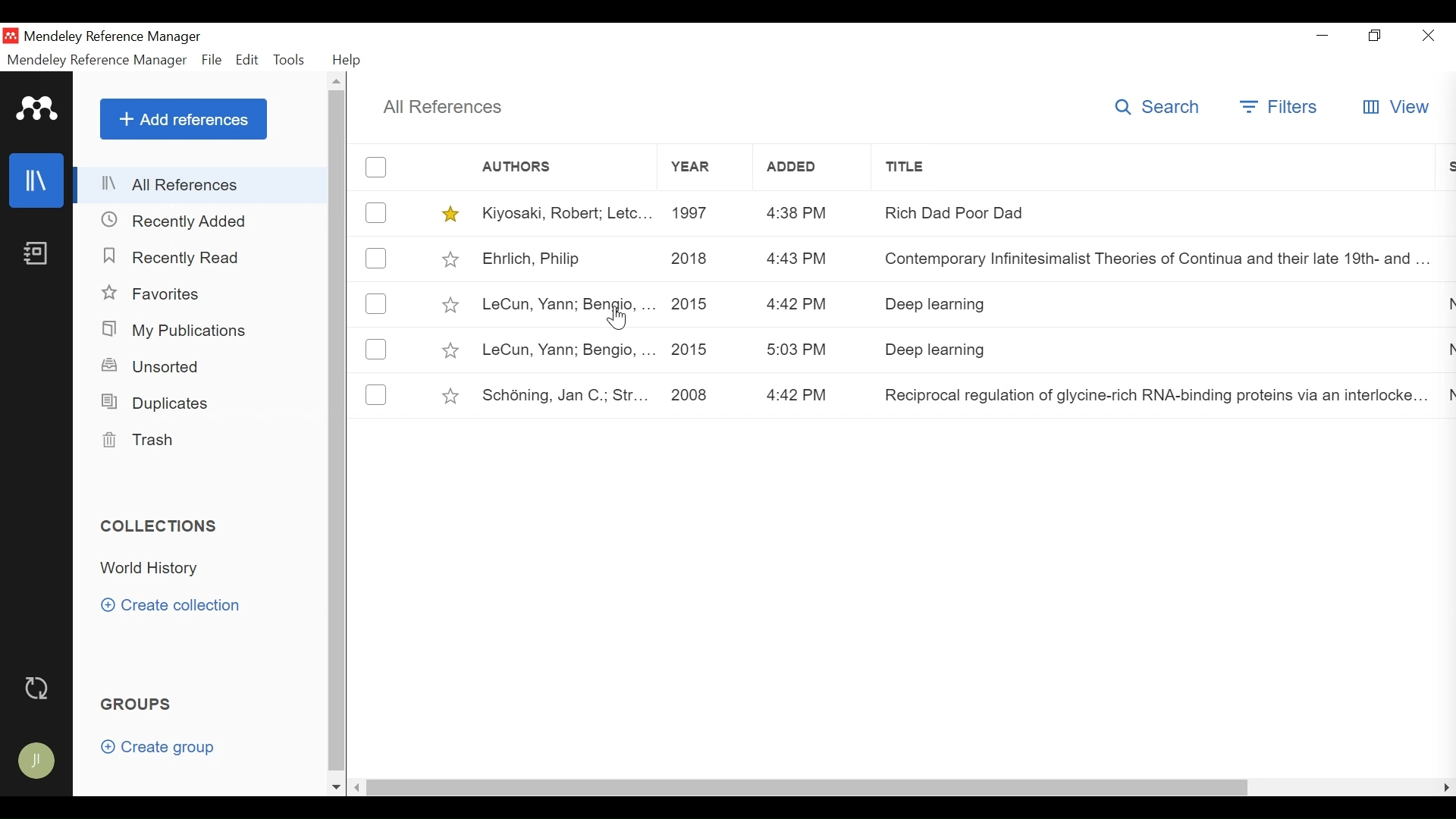 This screenshot has height=819, width=1456. Describe the element at coordinates (529, 168) in the screenshot. I see `Authors` at that location.